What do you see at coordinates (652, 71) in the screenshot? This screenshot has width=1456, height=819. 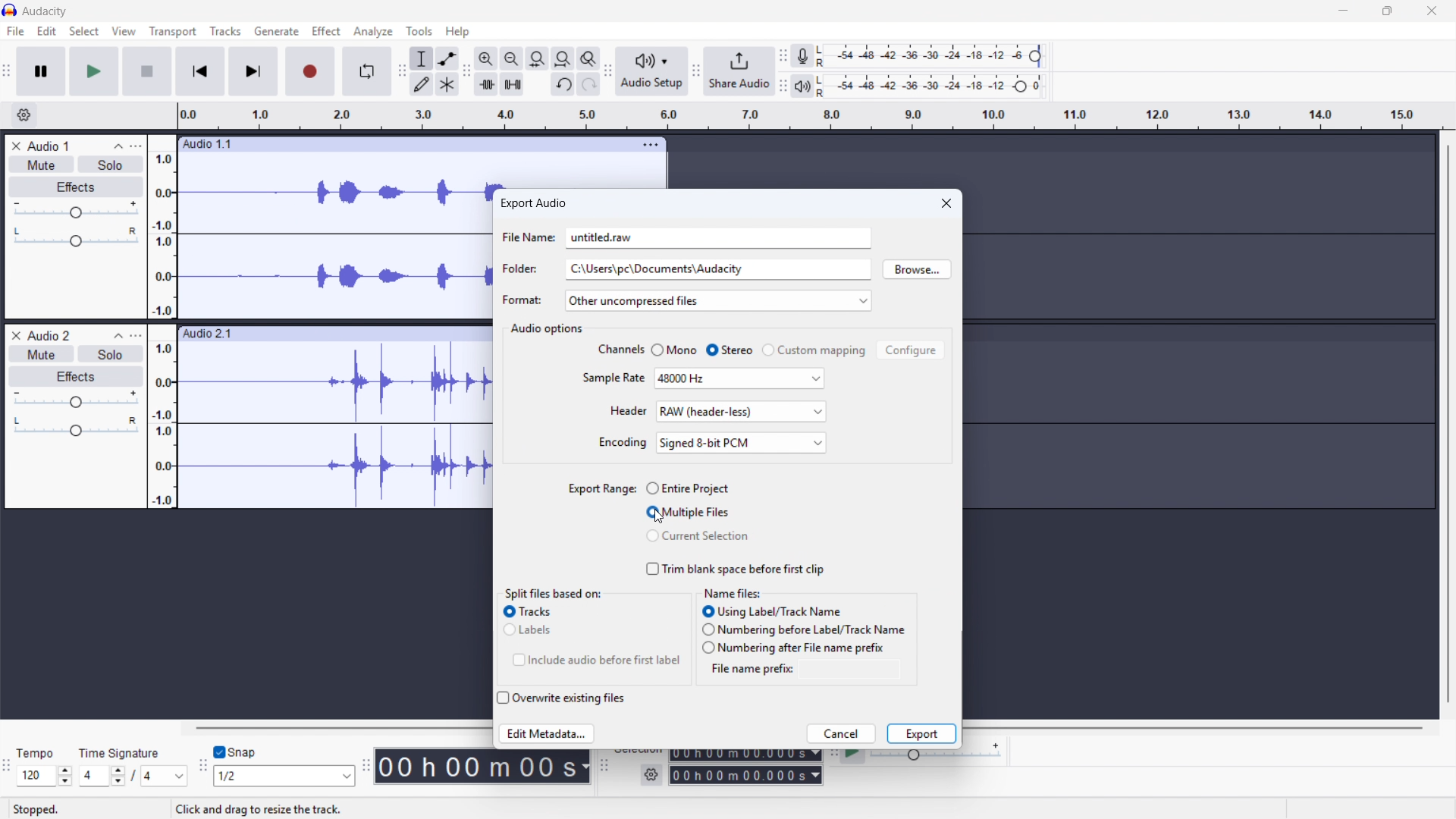 I see `Audio setup` at bounding box center [652, 71].